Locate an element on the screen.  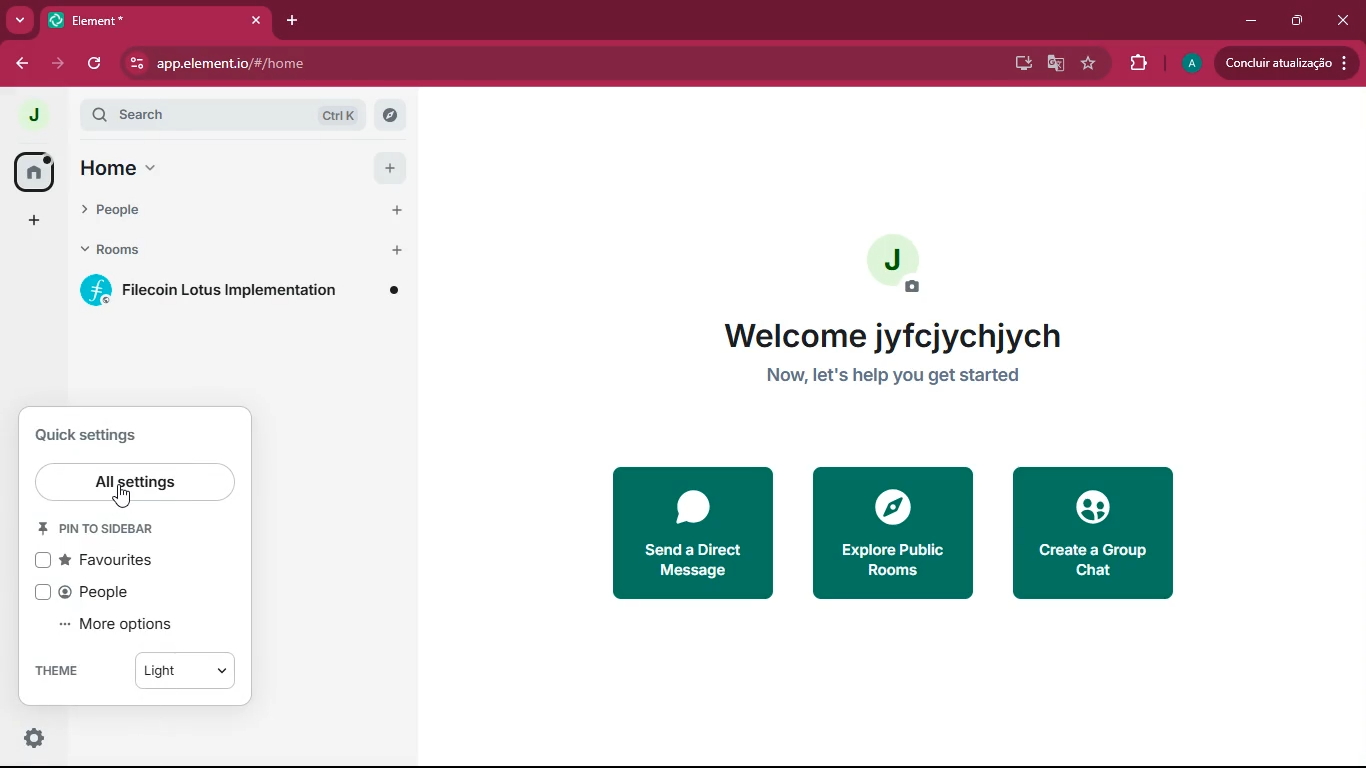
settings is located at coordinates (32, 738).